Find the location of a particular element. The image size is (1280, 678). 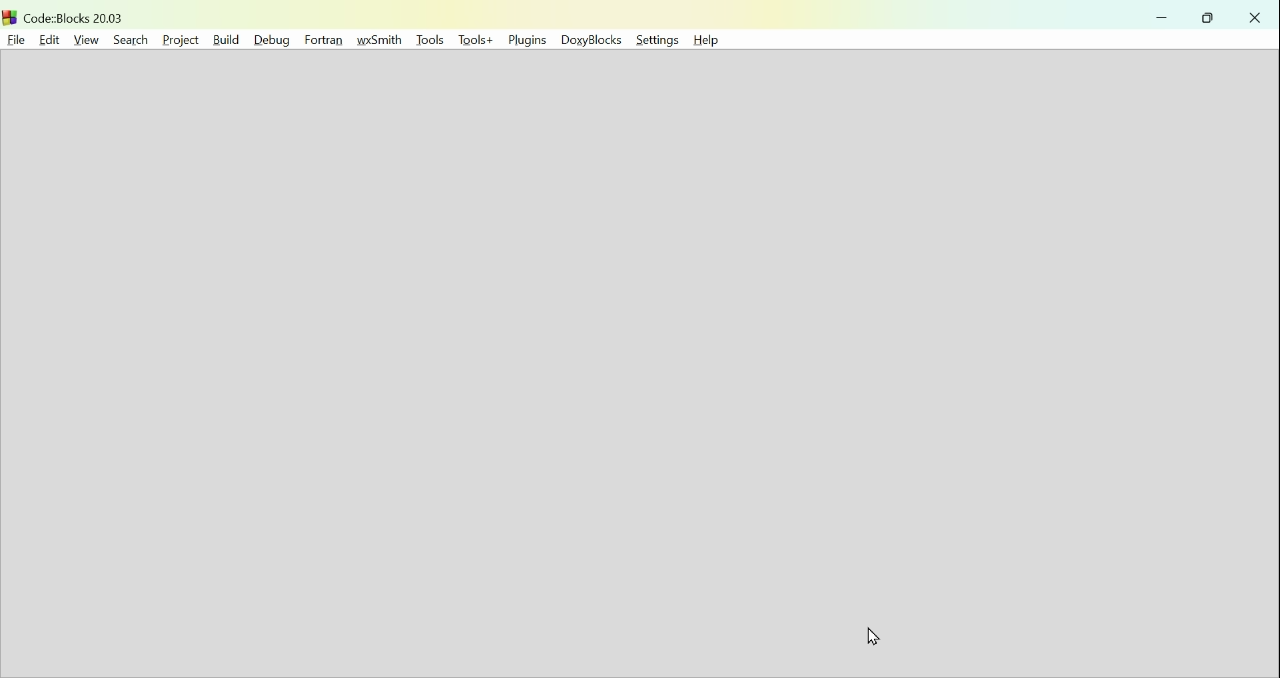

Cursor is located at coordinates (870, 639).